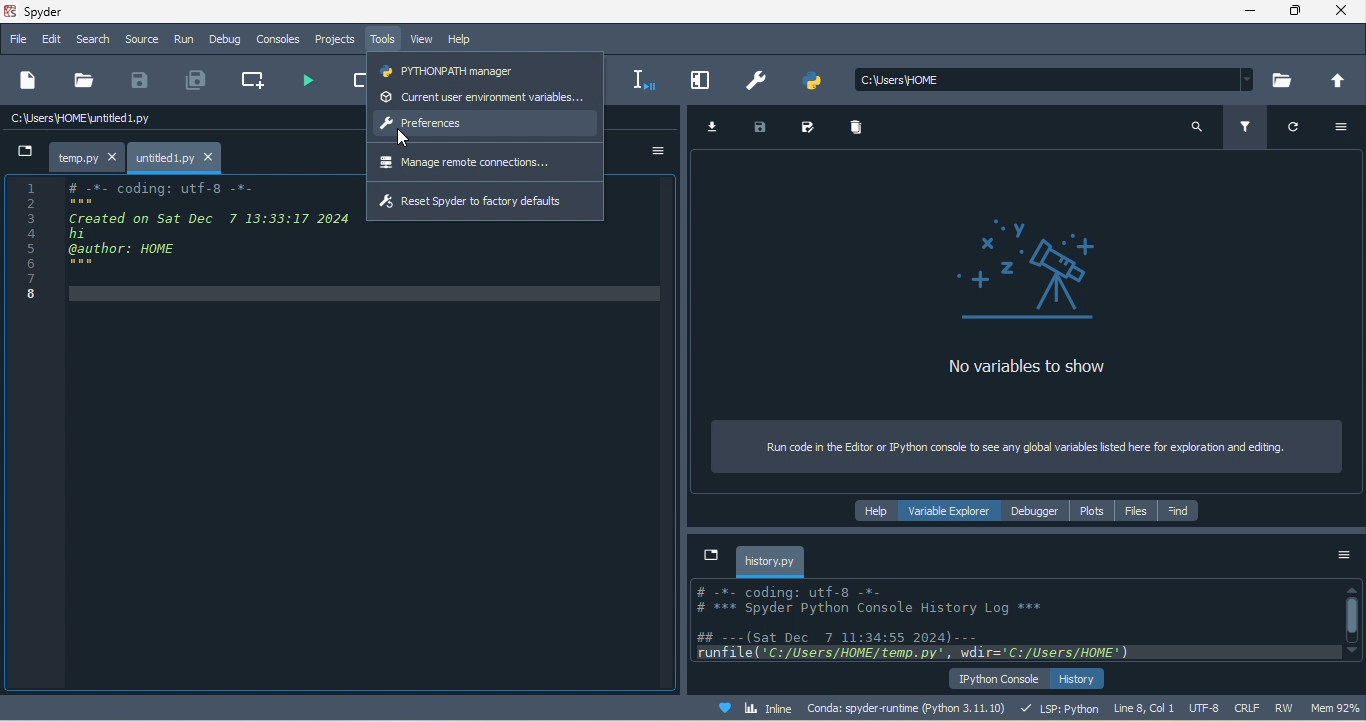  What do you see at coordinates (1037, 511) in the screenshot?
I see `debugger` at bounding box center [1037, 511].